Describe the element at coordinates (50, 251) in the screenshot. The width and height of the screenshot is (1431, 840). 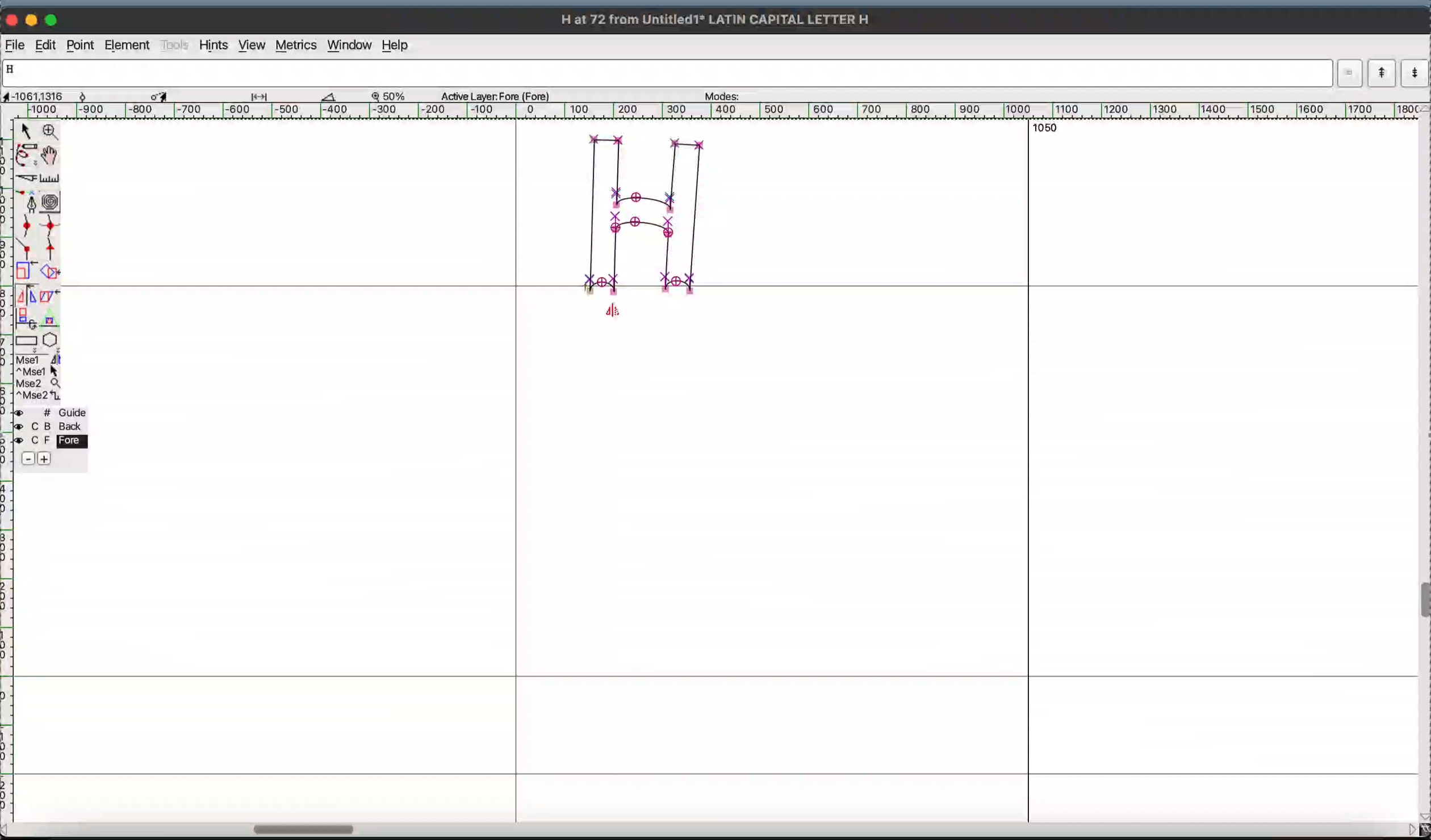
I see `tangent` at that location.